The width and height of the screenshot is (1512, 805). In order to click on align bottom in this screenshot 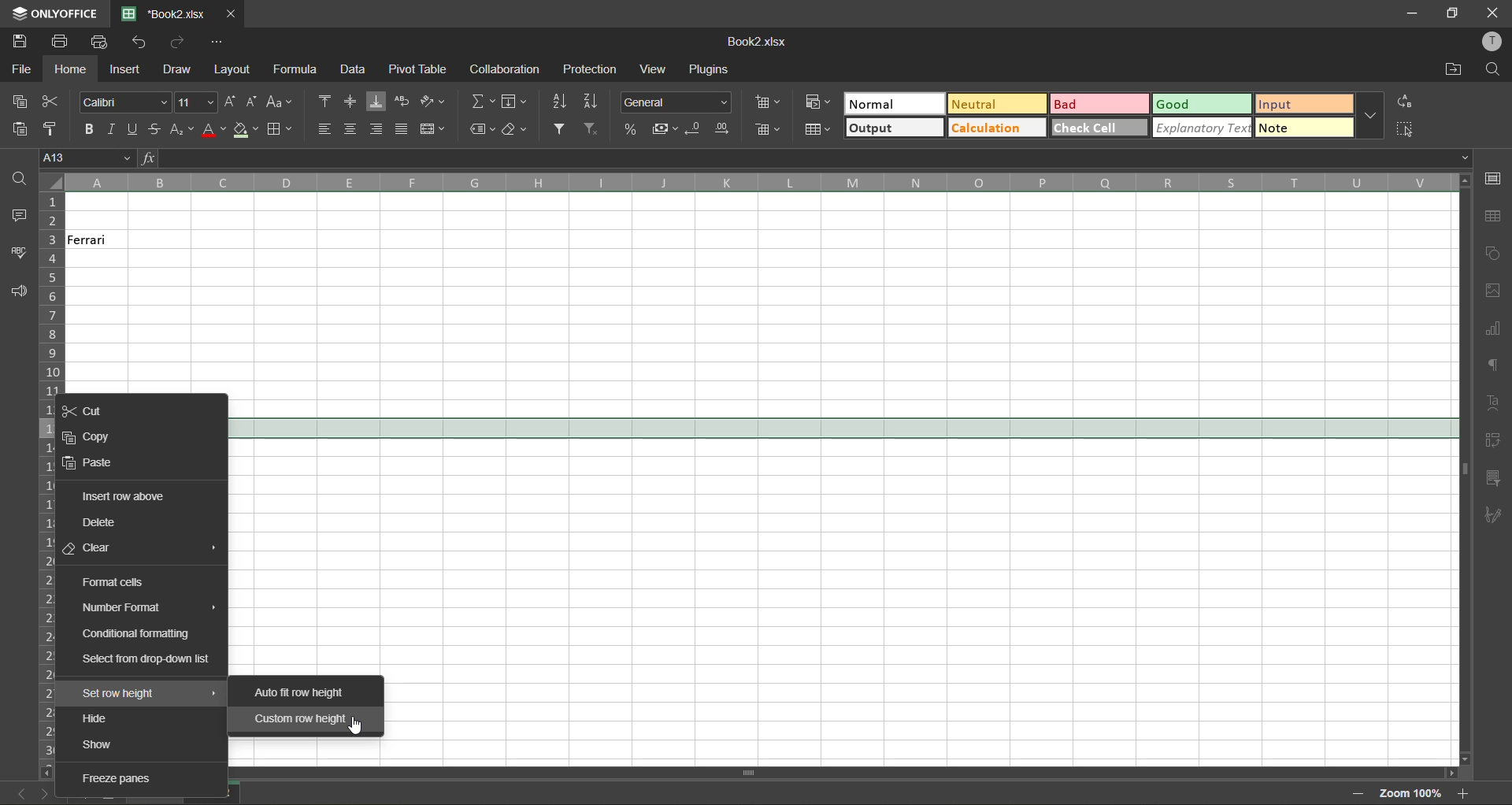, I will do `click(376, 101)`.